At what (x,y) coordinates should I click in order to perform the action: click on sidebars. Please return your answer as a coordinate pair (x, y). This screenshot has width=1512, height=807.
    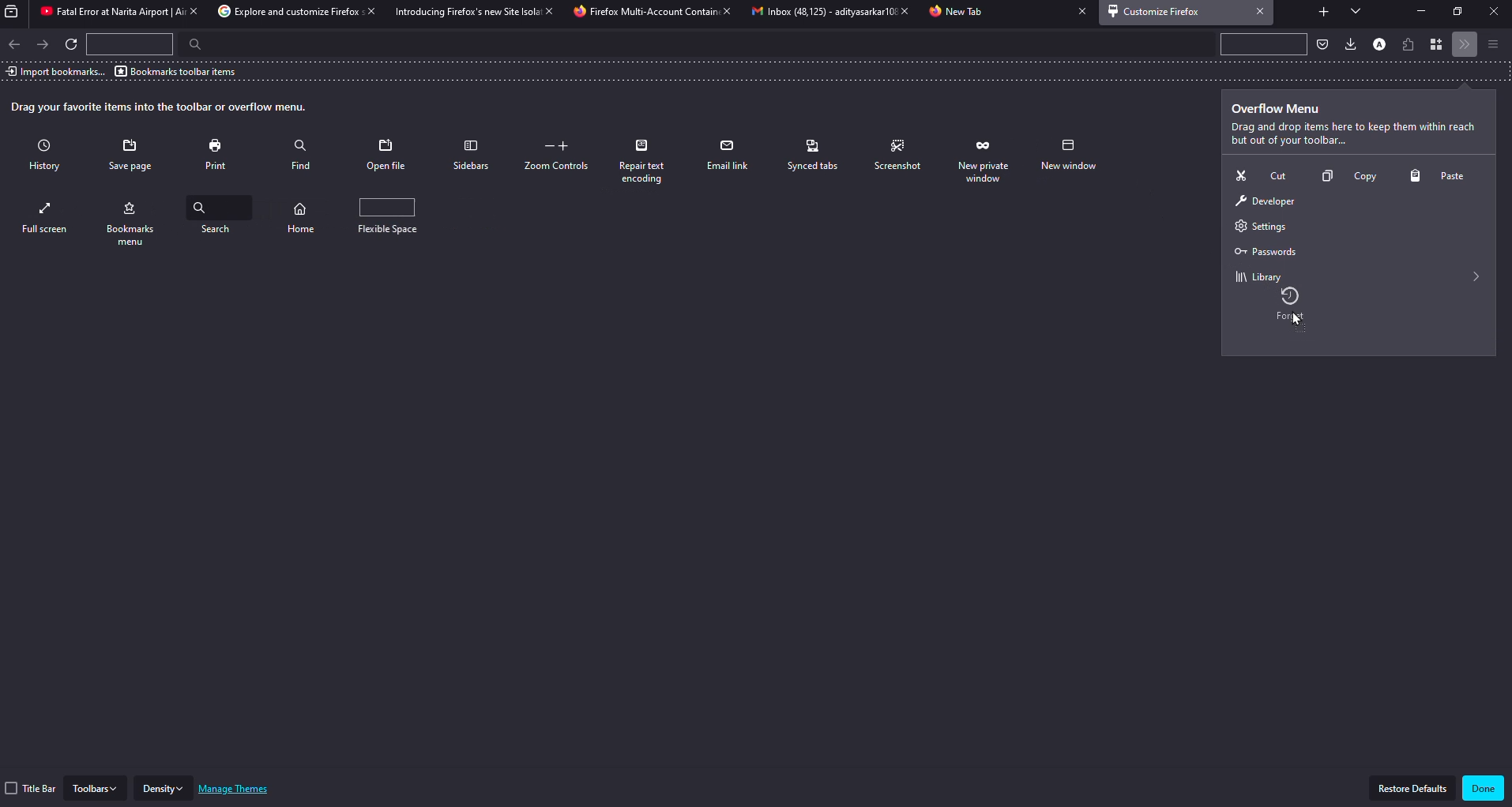
    Looking at the image, I should click on (470, 155).